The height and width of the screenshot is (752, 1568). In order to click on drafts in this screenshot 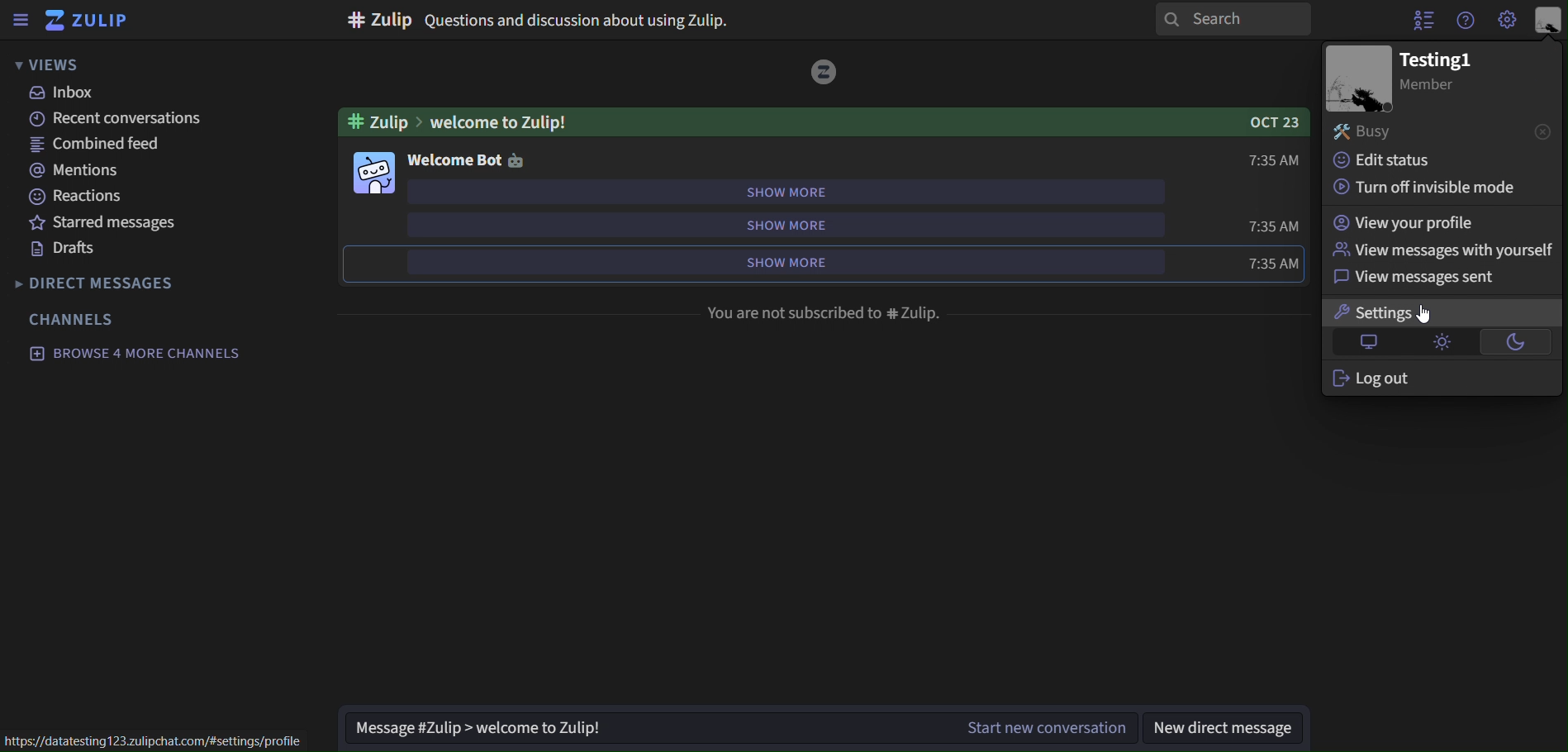, I will do `click(72, 250)`.